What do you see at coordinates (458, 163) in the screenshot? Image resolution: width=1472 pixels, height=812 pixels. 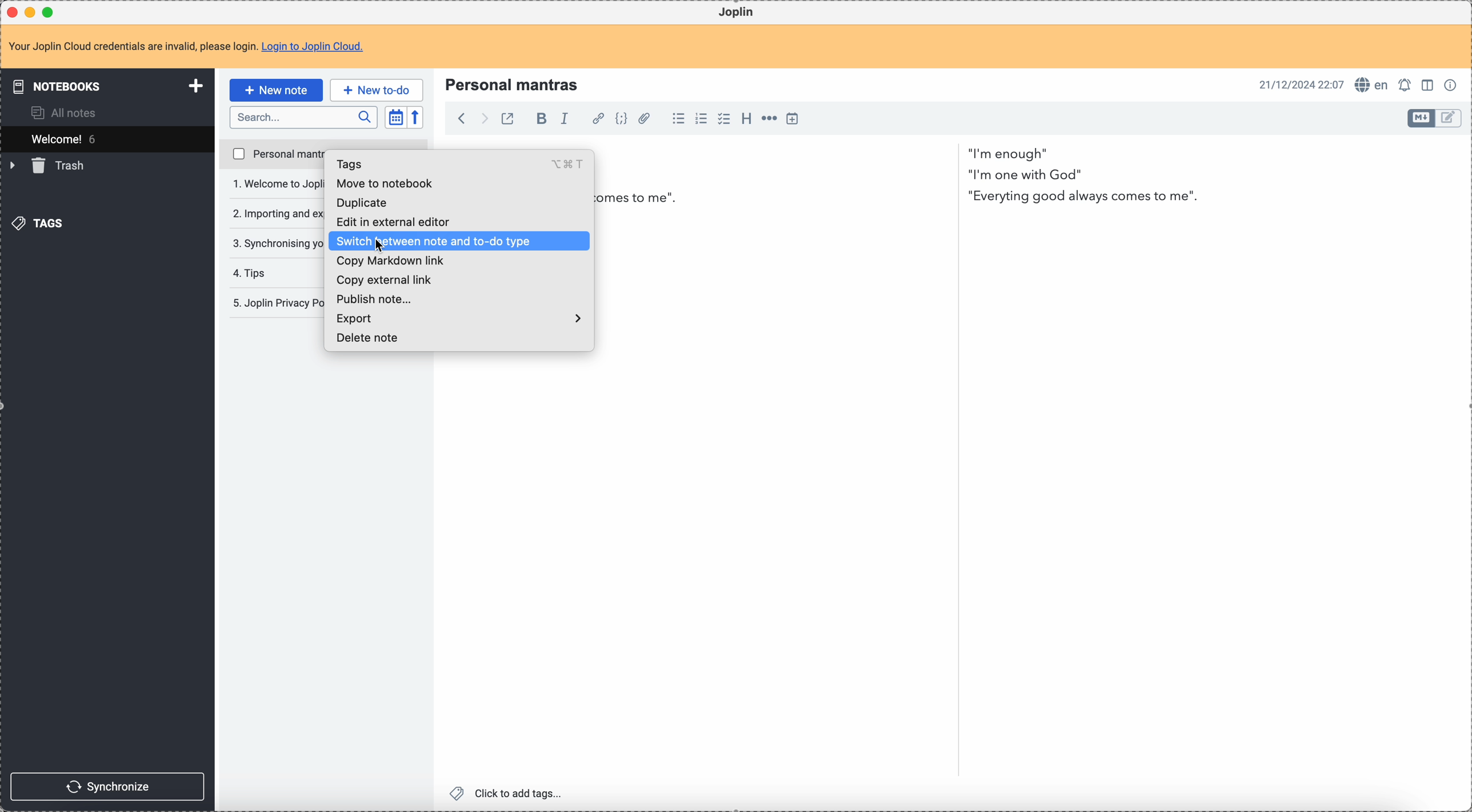 I see `tags` at bounding box center [458, 163].